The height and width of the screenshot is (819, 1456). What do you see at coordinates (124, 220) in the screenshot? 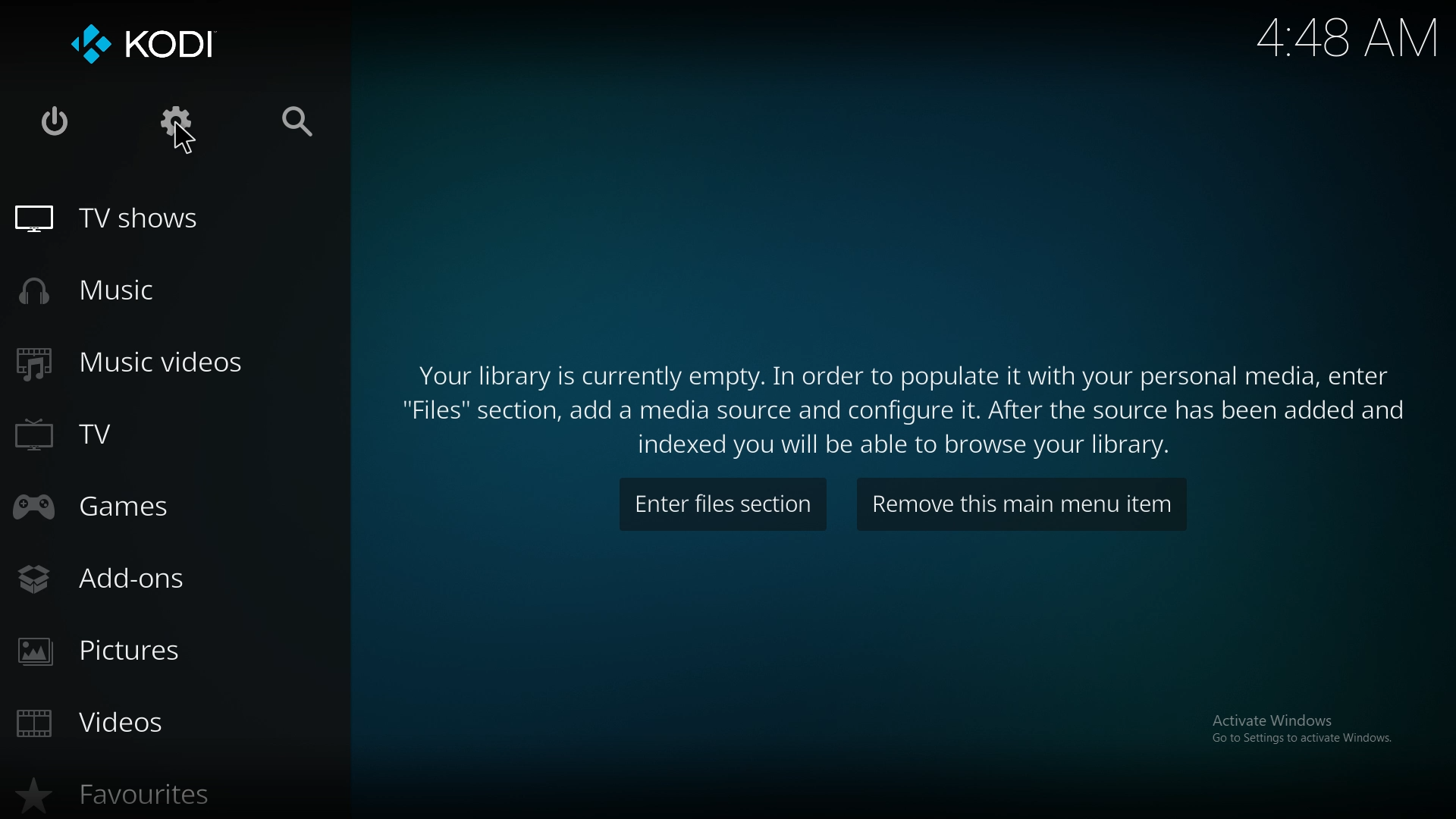
I see `tv shows` at bounding box center [124, 220].